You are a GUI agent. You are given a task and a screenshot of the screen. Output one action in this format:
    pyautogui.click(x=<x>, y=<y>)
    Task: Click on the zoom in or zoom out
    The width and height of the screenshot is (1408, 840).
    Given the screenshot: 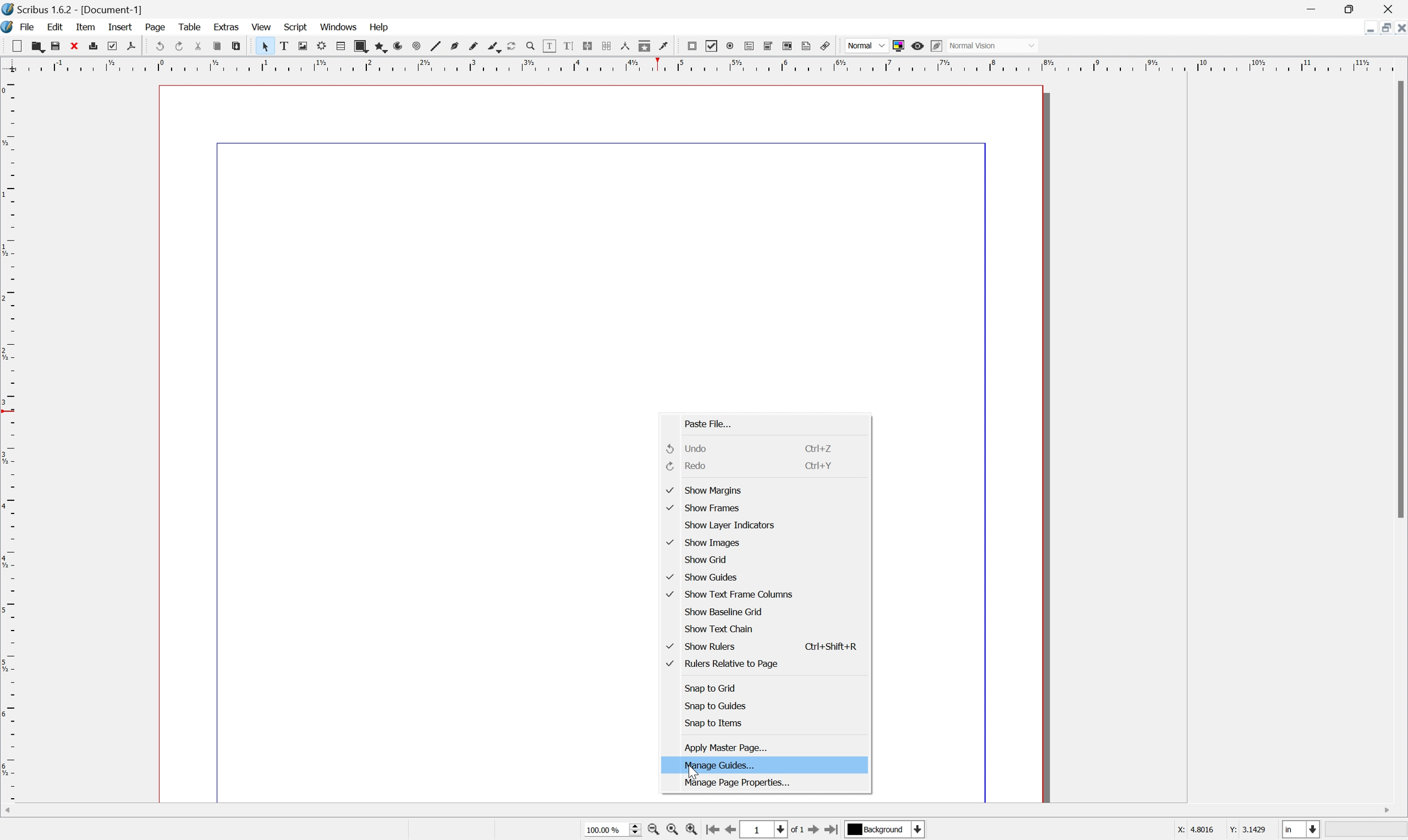 What is the action you would take?
    pyautogui.click(x=530, y=45)
    